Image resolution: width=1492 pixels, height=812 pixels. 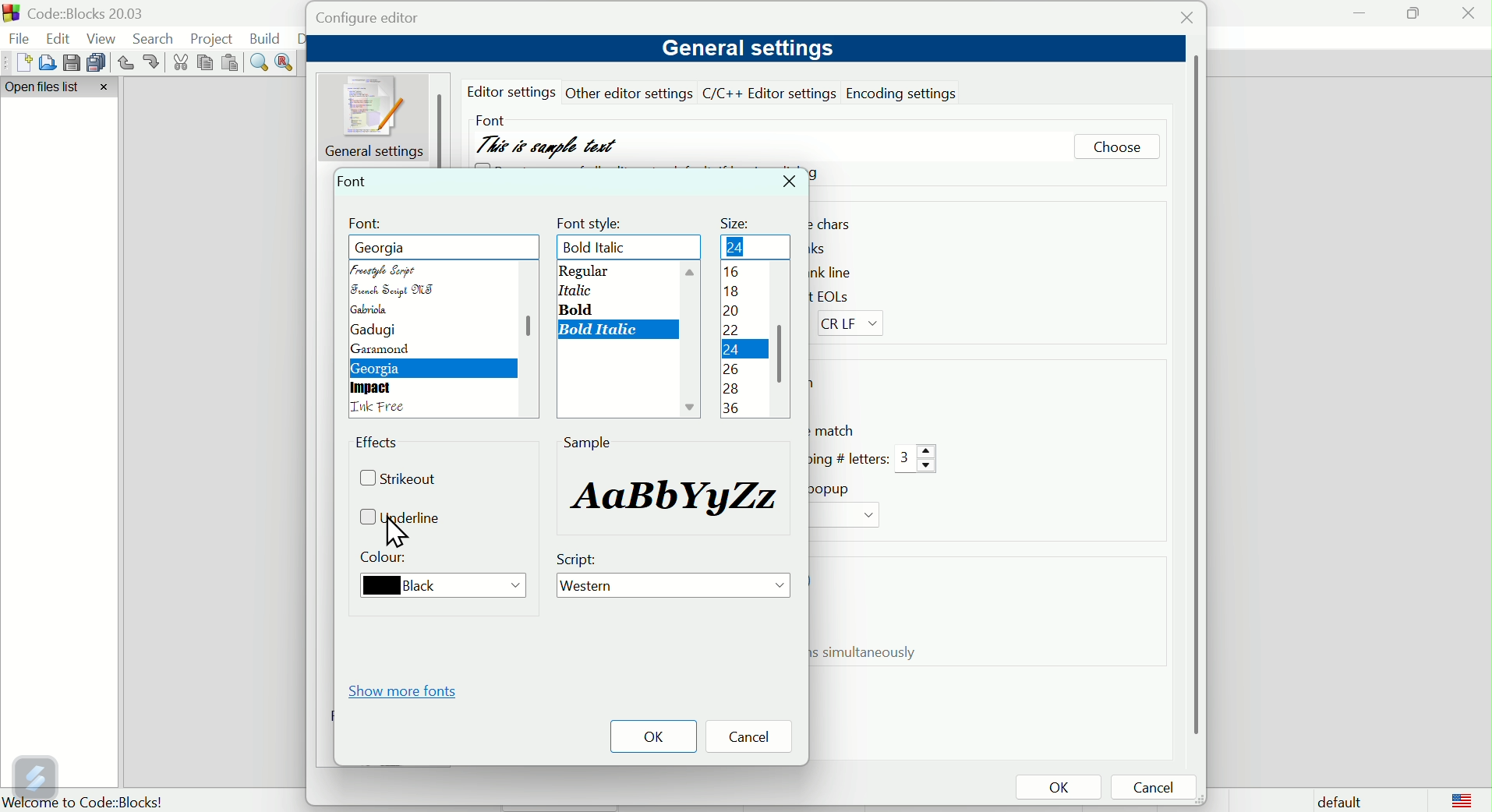 What do you see at coordinates (731, 389) in the screenshot?
I see `28` at bounding box center [731, 389].